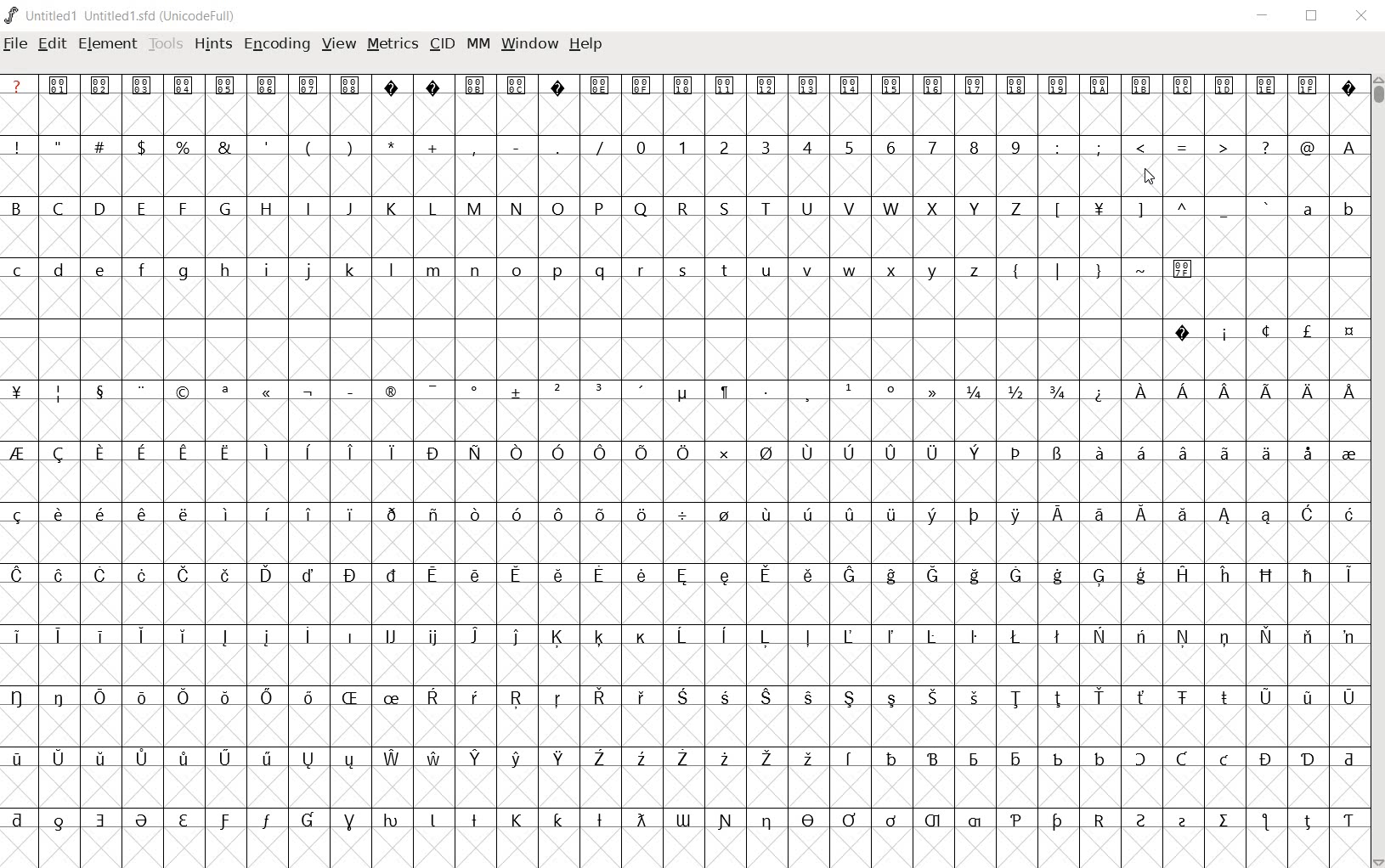  What do you see at coordinates (1263, 15) in the screenshot?
I see `minimize` at bounding box center [1263, 15].